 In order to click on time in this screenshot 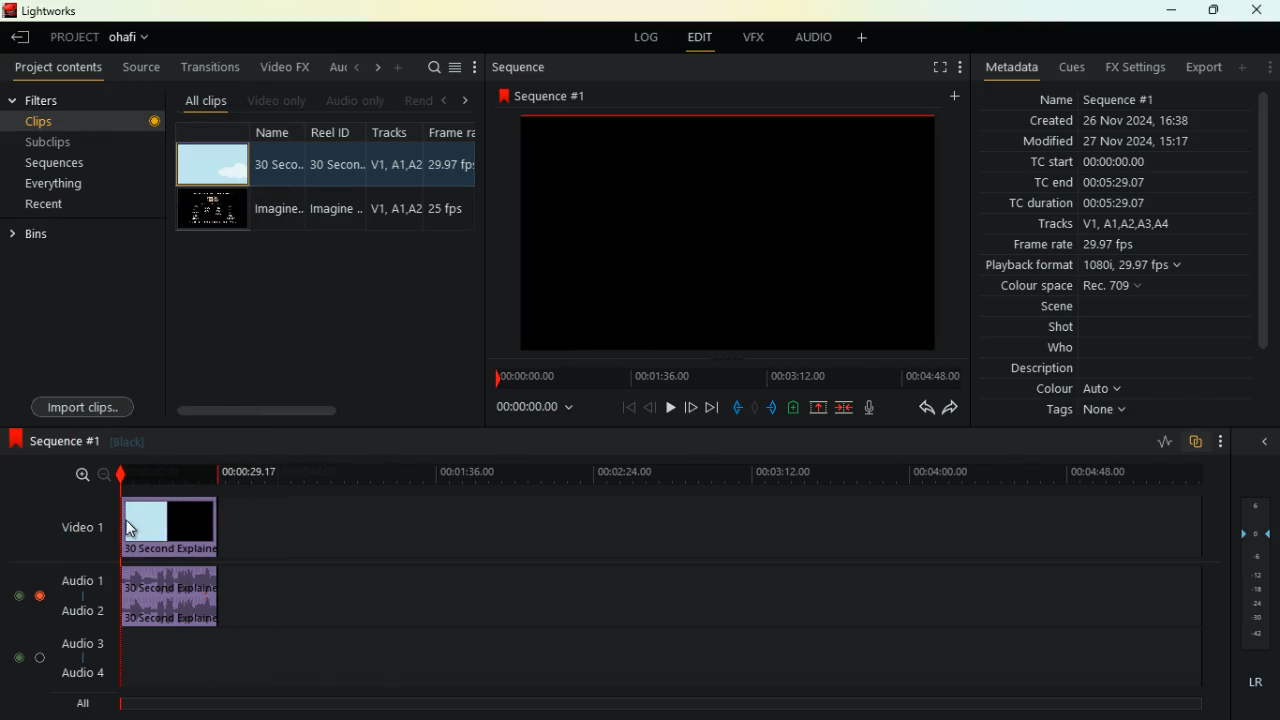, I will do `click(722, 376)`.